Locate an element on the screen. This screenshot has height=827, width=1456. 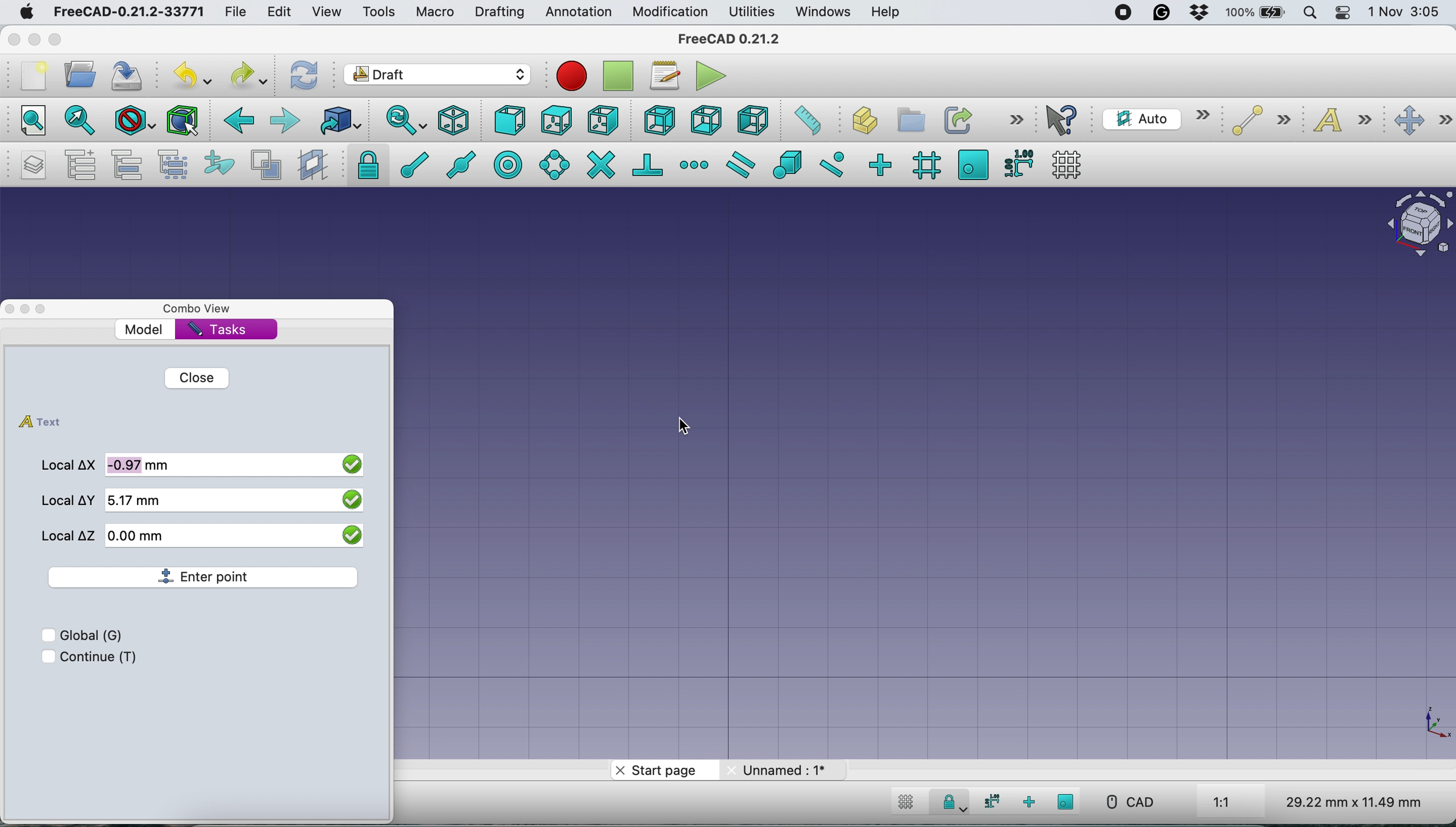
global is located at coordinates (93, 635).